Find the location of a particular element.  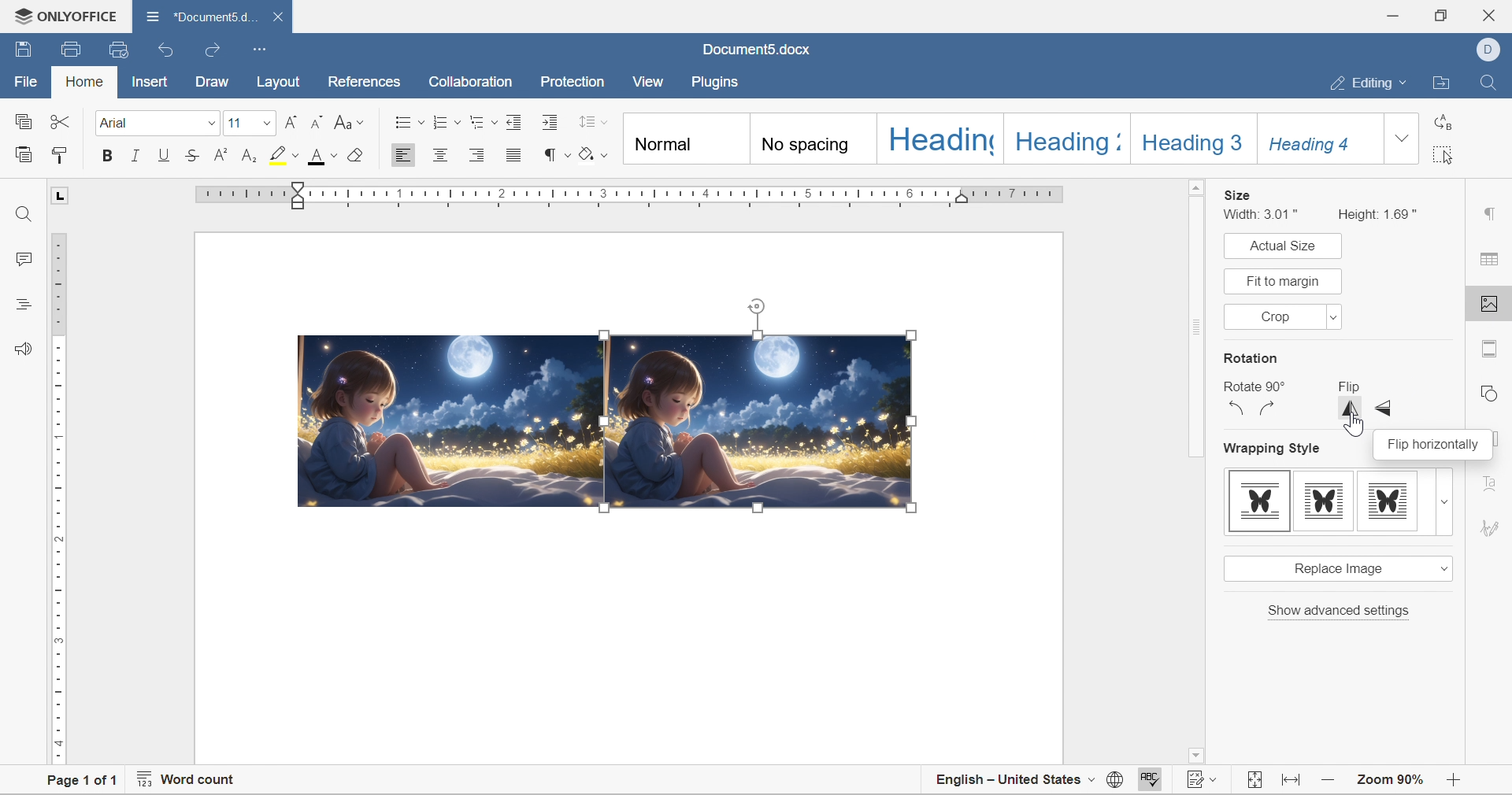

shape settings is located at coordinates (1493, 391).